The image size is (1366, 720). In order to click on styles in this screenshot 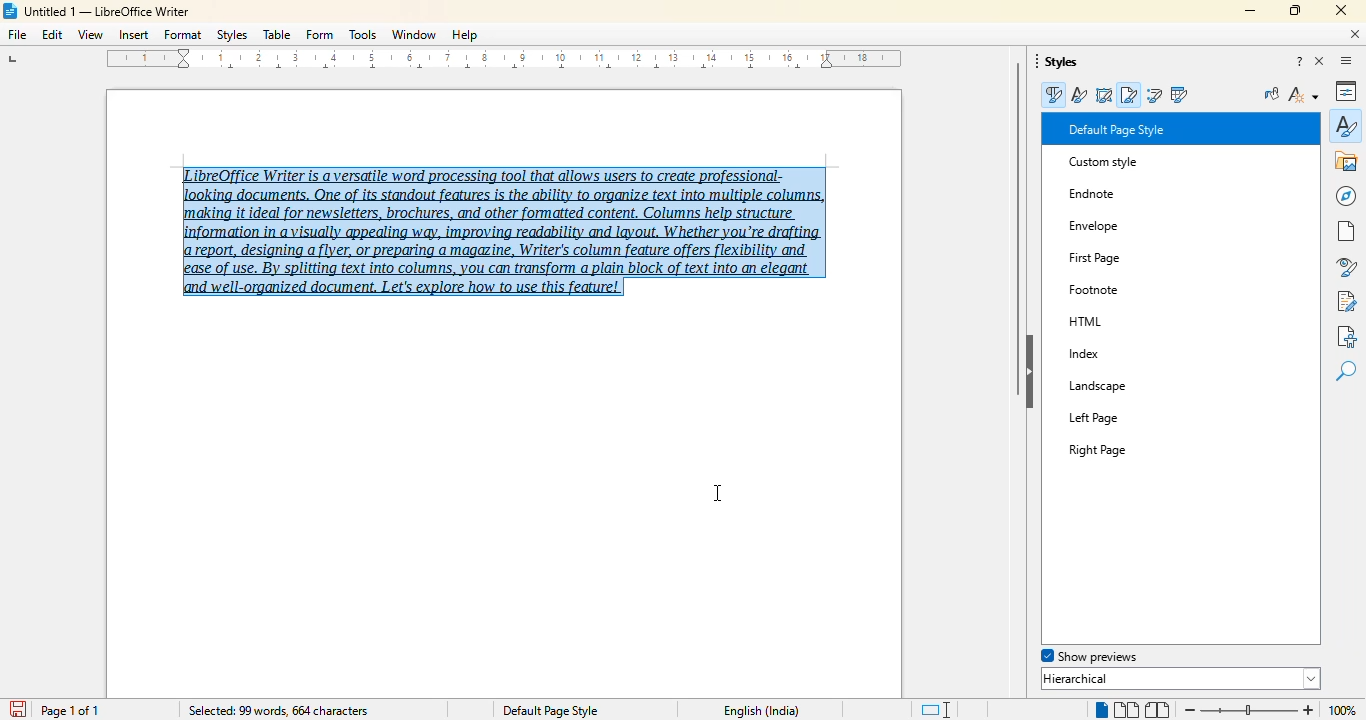, I will do `click(232, 35)`.